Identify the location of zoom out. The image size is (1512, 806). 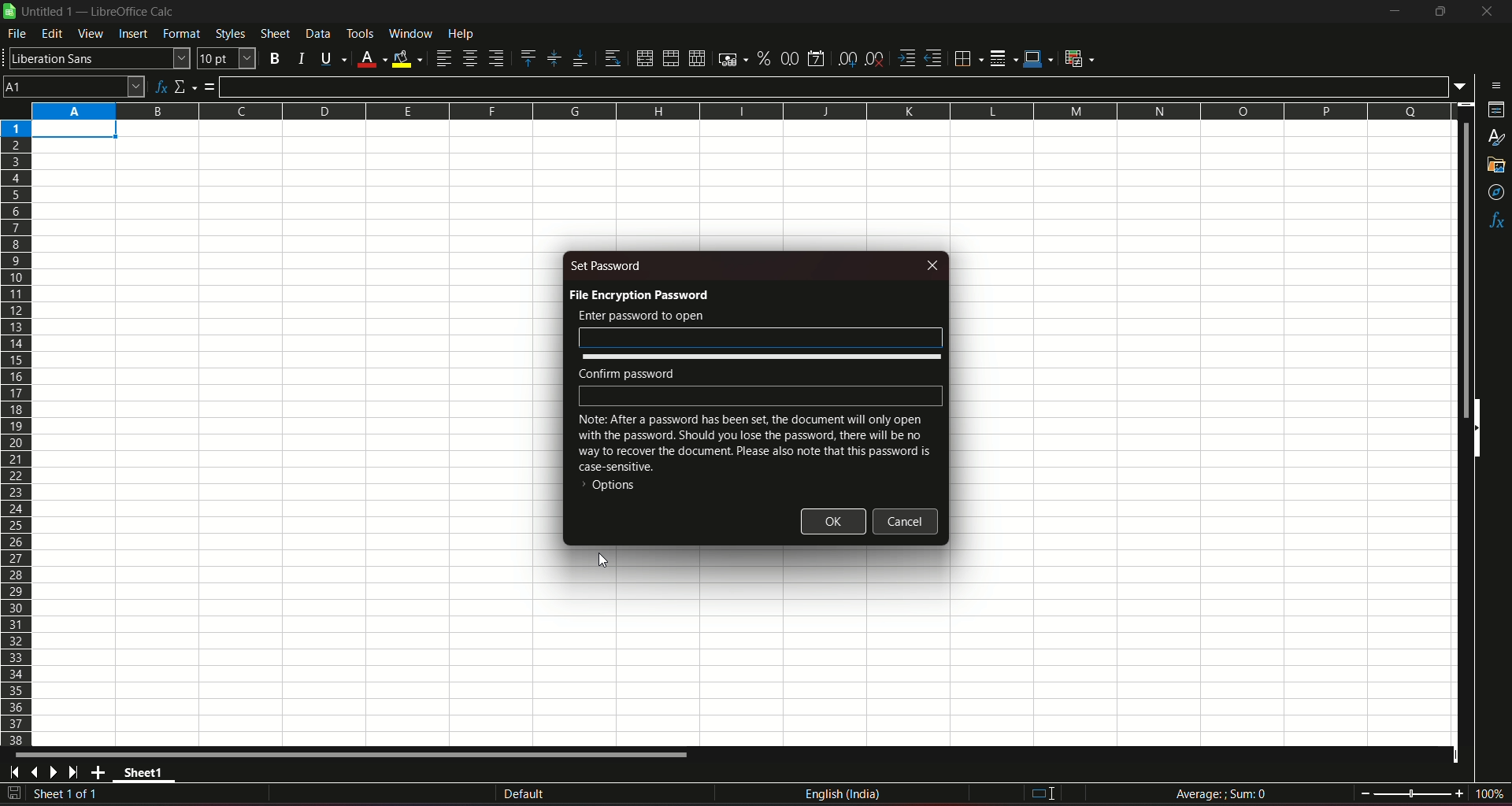
(1365, 792).